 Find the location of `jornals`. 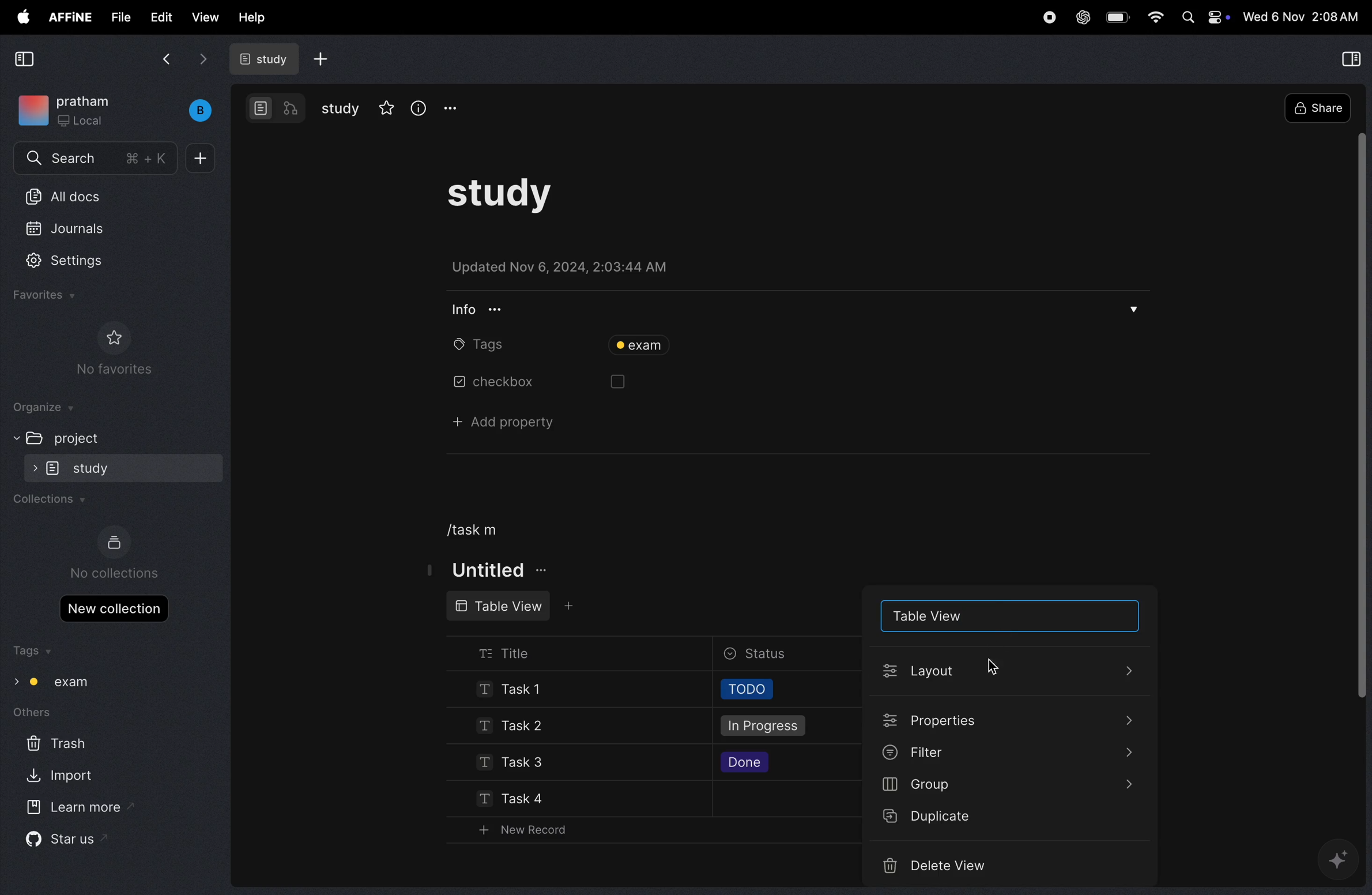

jornals is located at coordinates (79, 228).